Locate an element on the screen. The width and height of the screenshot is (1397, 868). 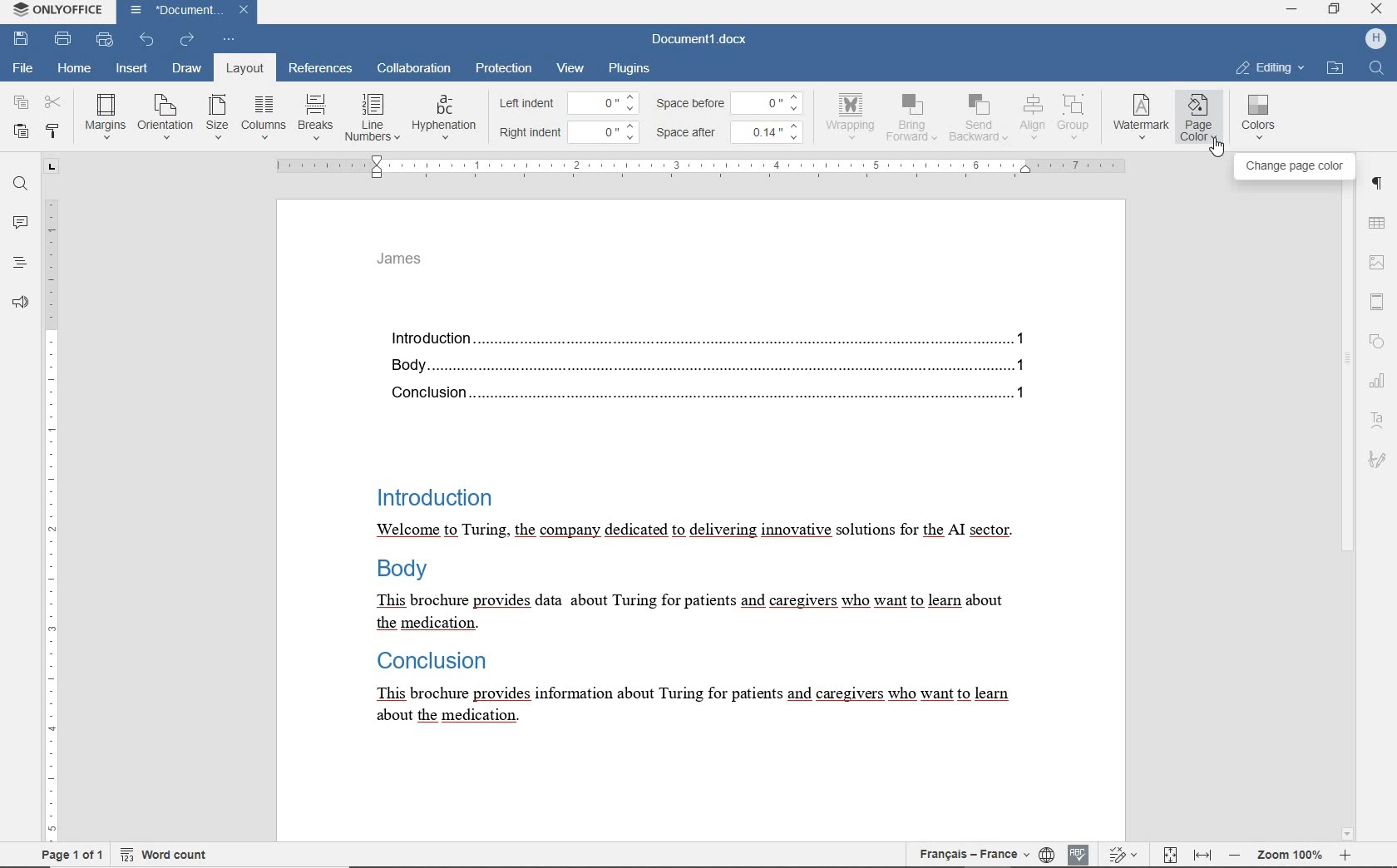
paste is located at coordinates (19, 131).